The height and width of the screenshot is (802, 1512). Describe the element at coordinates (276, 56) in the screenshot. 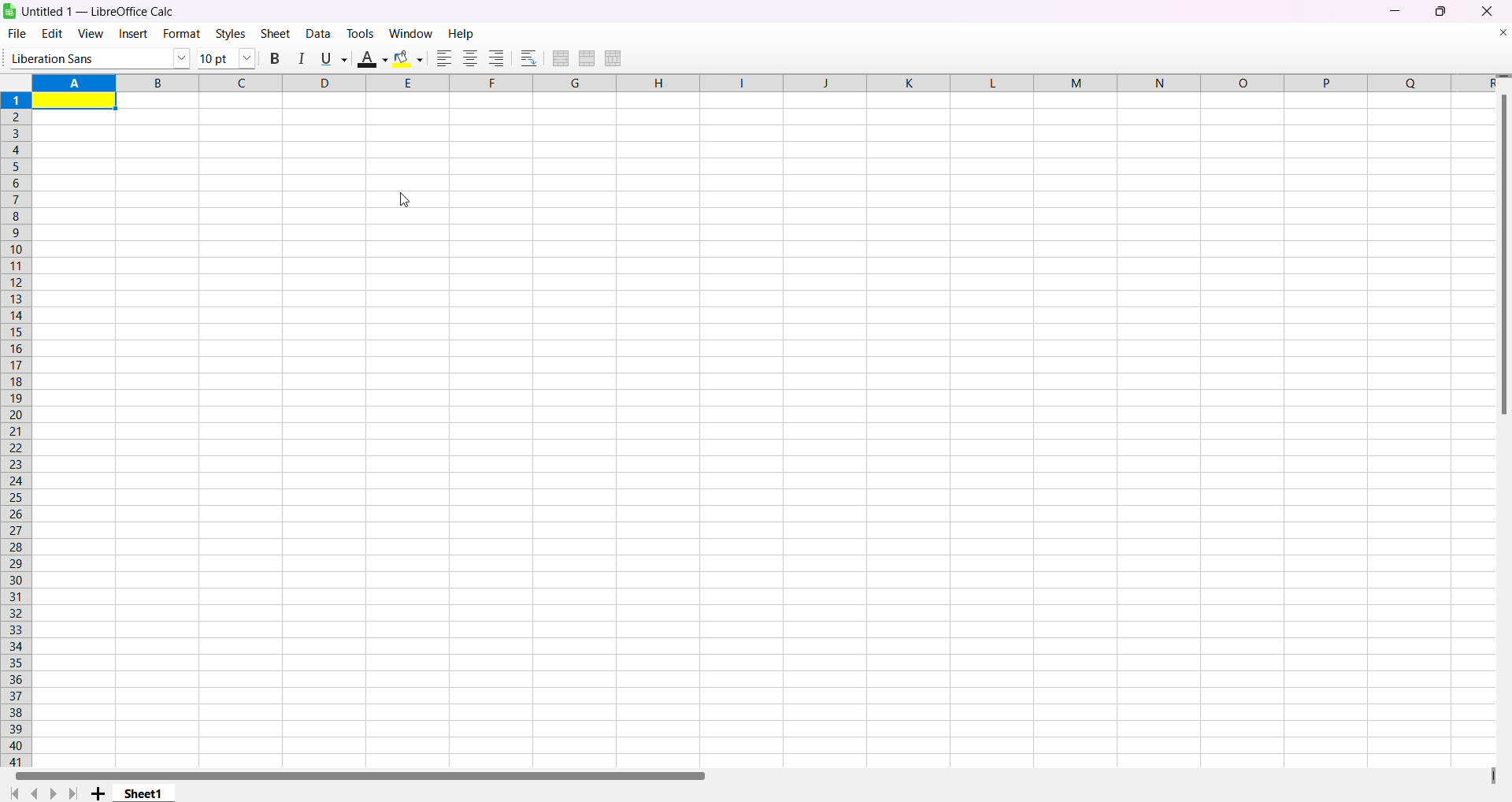

I see `bold` at that location.